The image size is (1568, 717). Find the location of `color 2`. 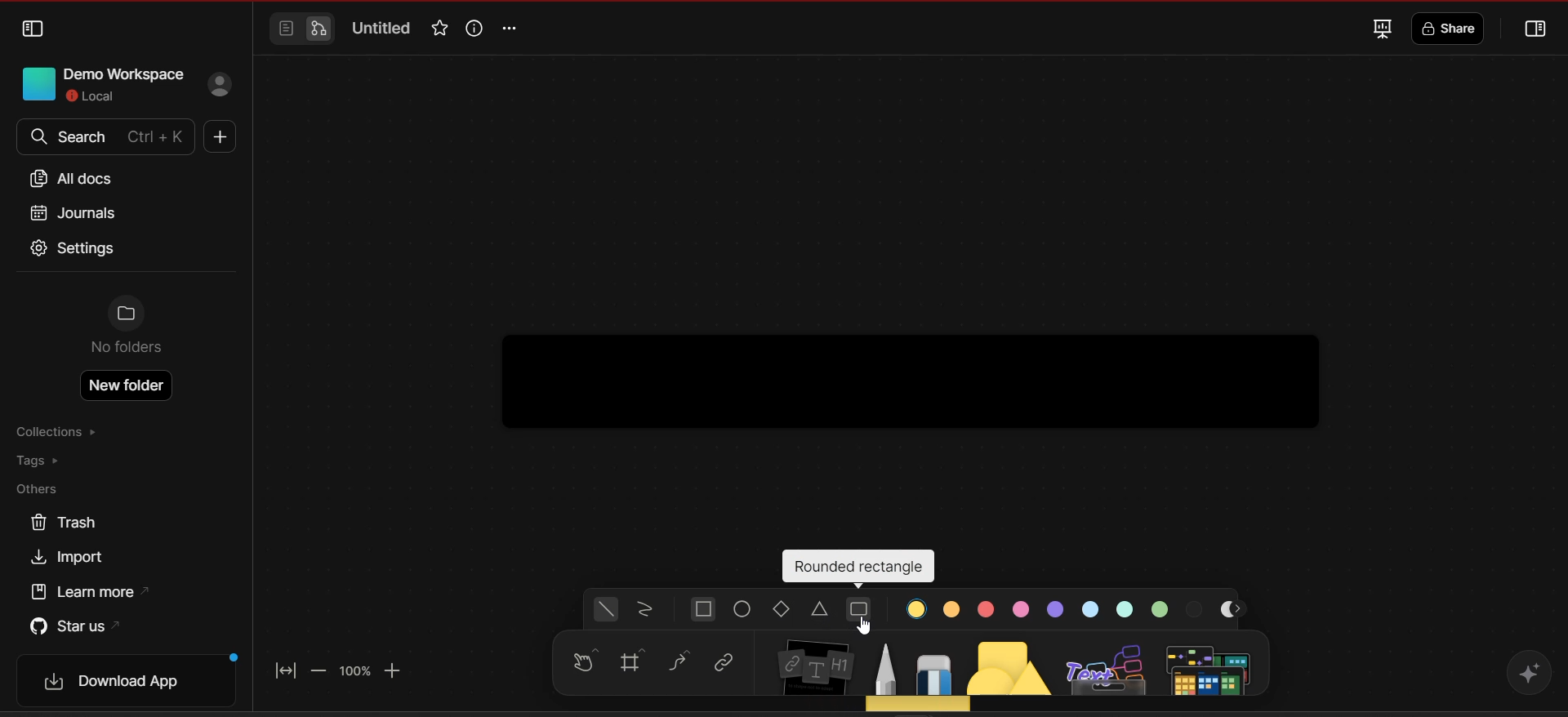

color 2 is located at coordinates (952, 608).